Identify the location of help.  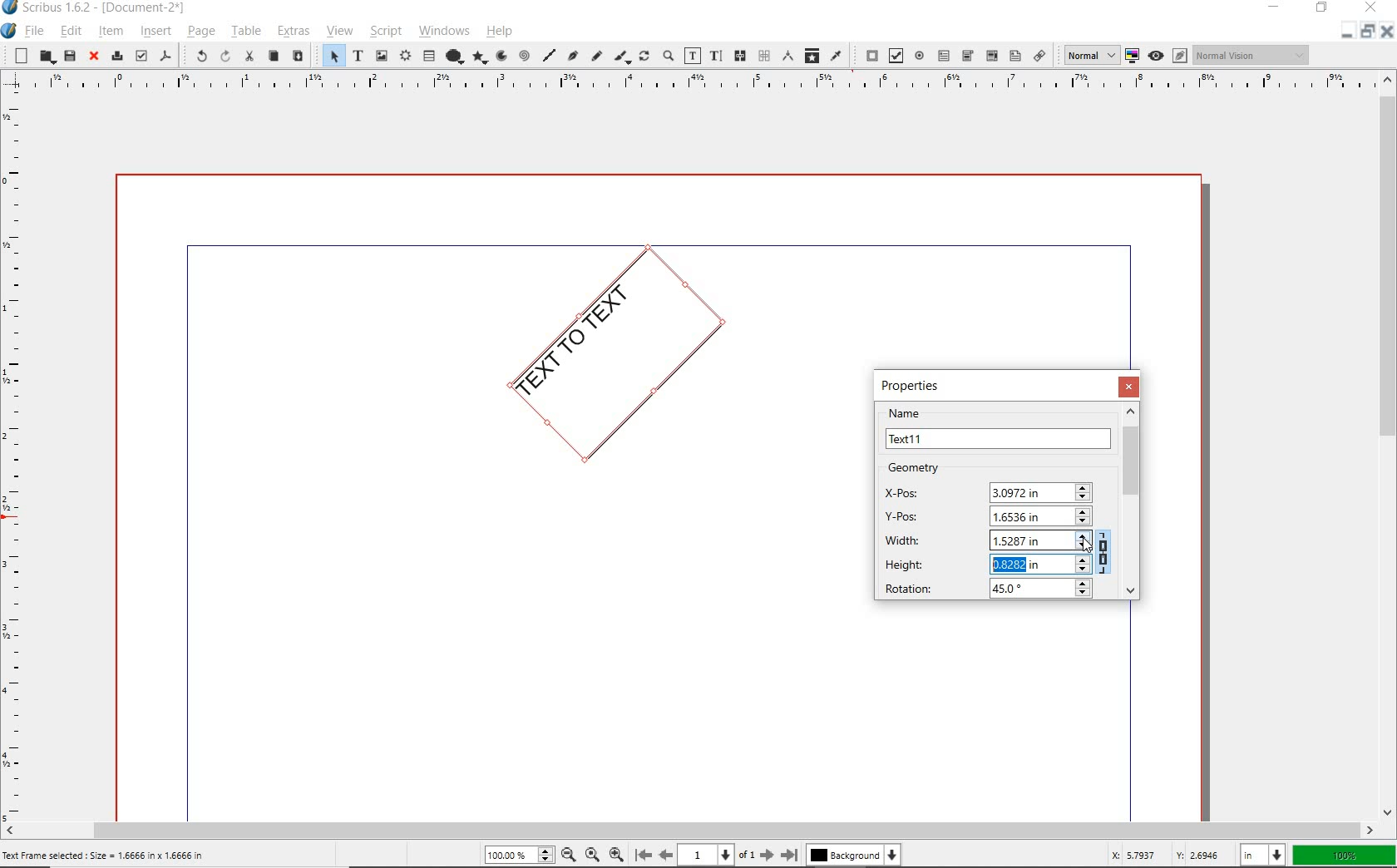
(499, 33).